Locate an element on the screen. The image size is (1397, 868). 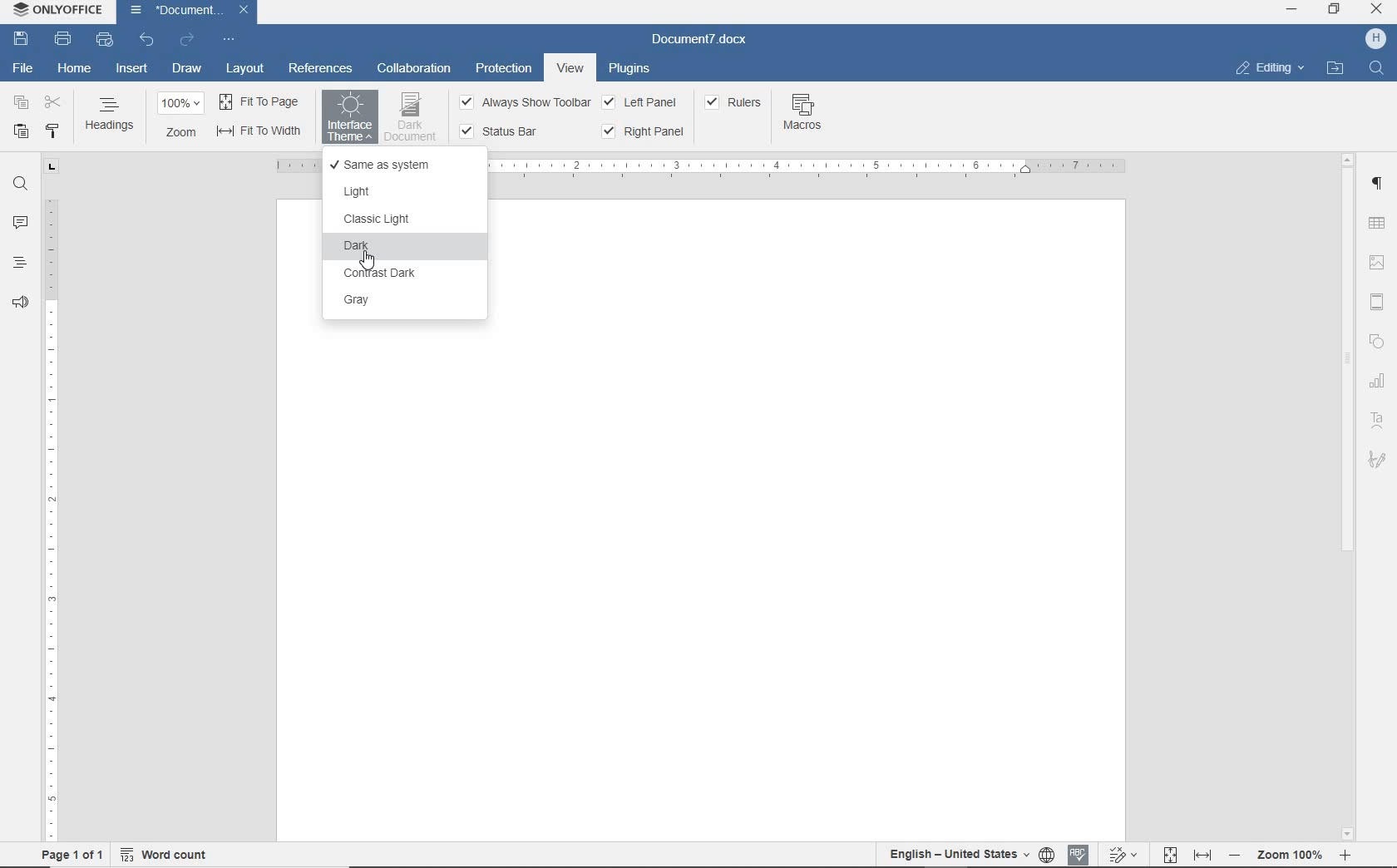
CUSTOMIZE QUICK ACCESS TOOLBAR is located at coordinates (230, 40).